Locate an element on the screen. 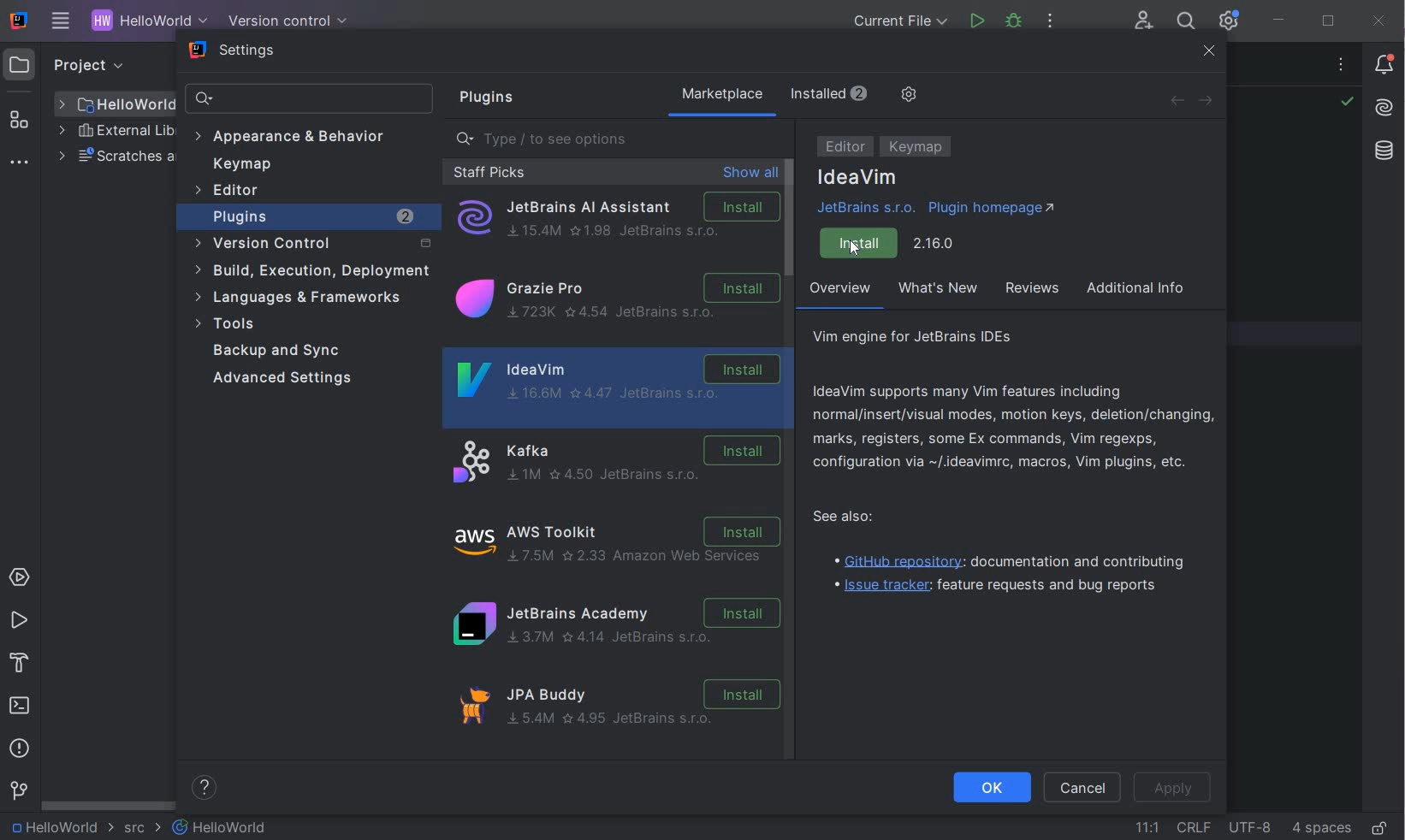 The height and width of the screenshot is (840, 1405). TERMINAL is located at coordinates (21, 707).